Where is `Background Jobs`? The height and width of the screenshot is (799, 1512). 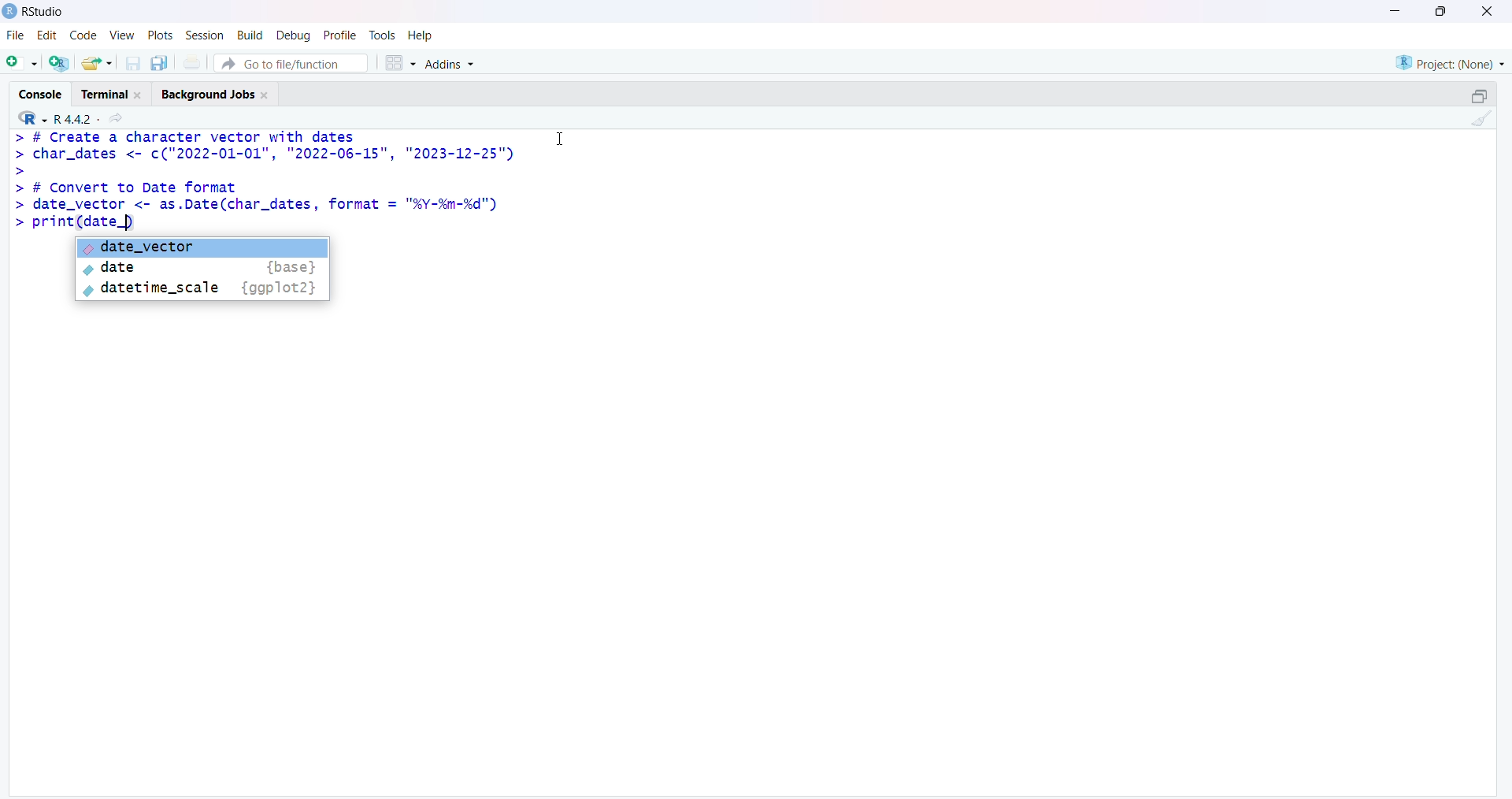
Background Jobs is located at coordinates (220, 92).